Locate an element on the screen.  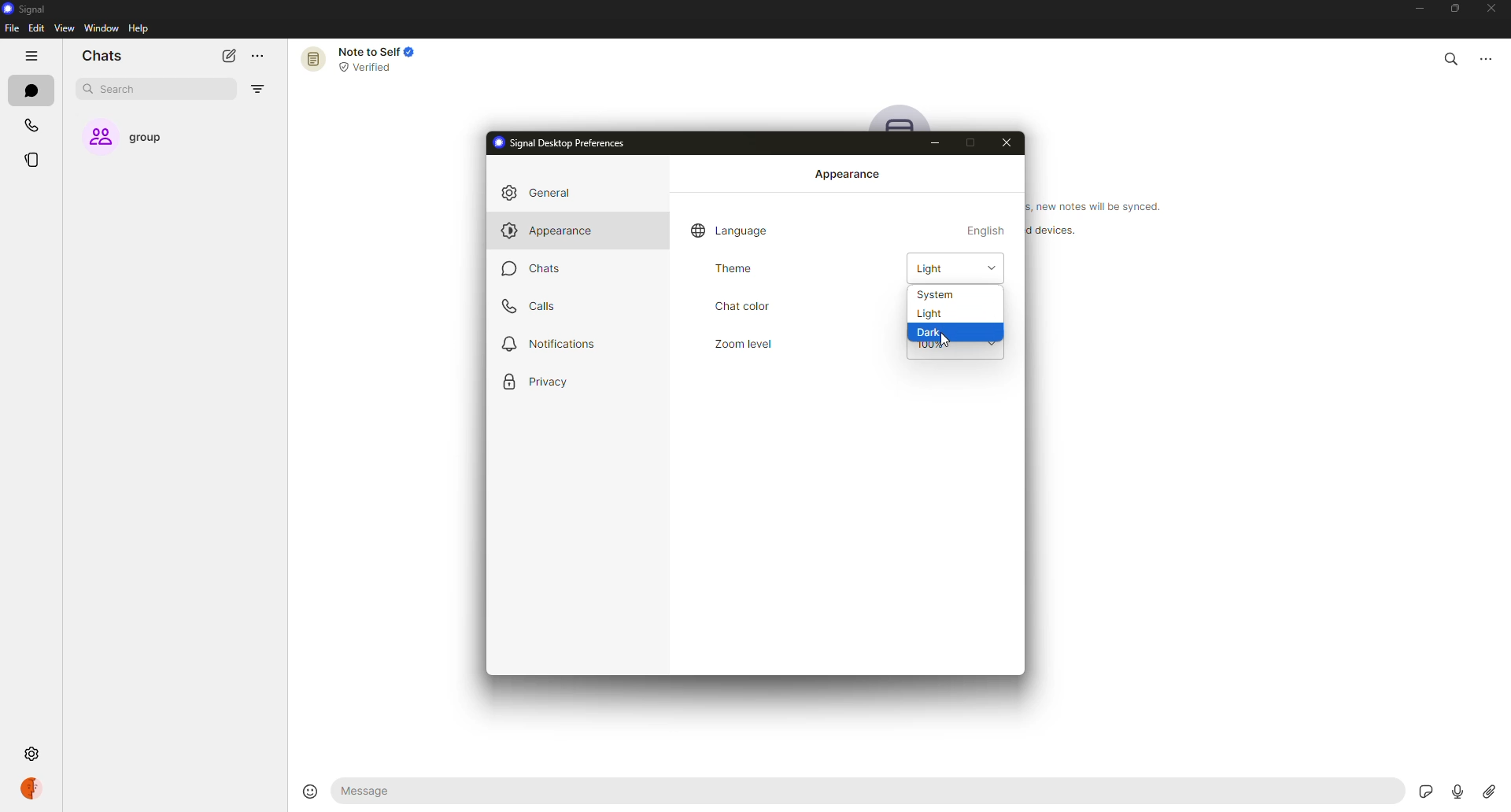
cursor is located at coordinates (947, 348).